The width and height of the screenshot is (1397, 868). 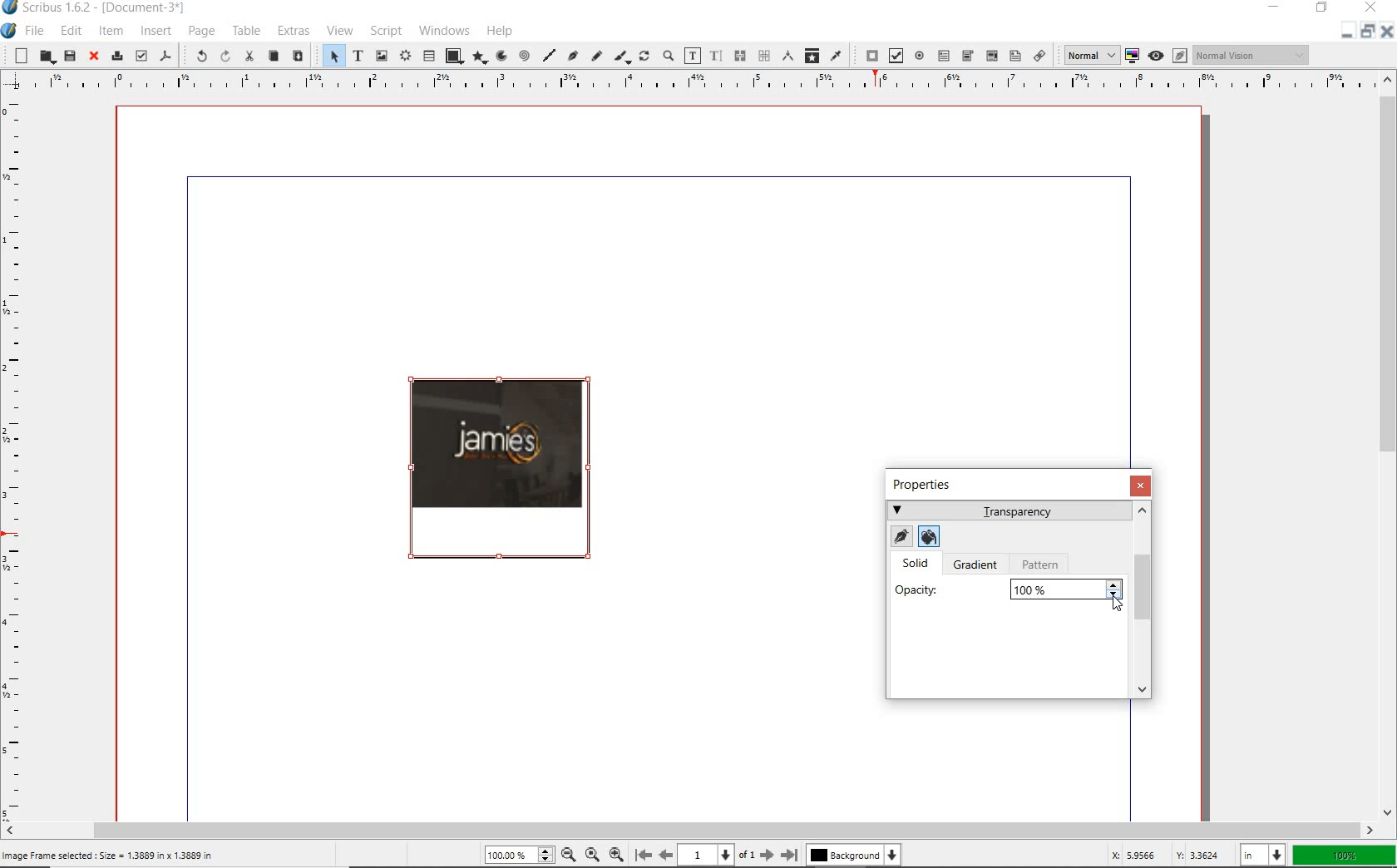 What do you see at coordinates (500, 57) in the screenshot?
I see `arc` at bounding box center [500, 57].